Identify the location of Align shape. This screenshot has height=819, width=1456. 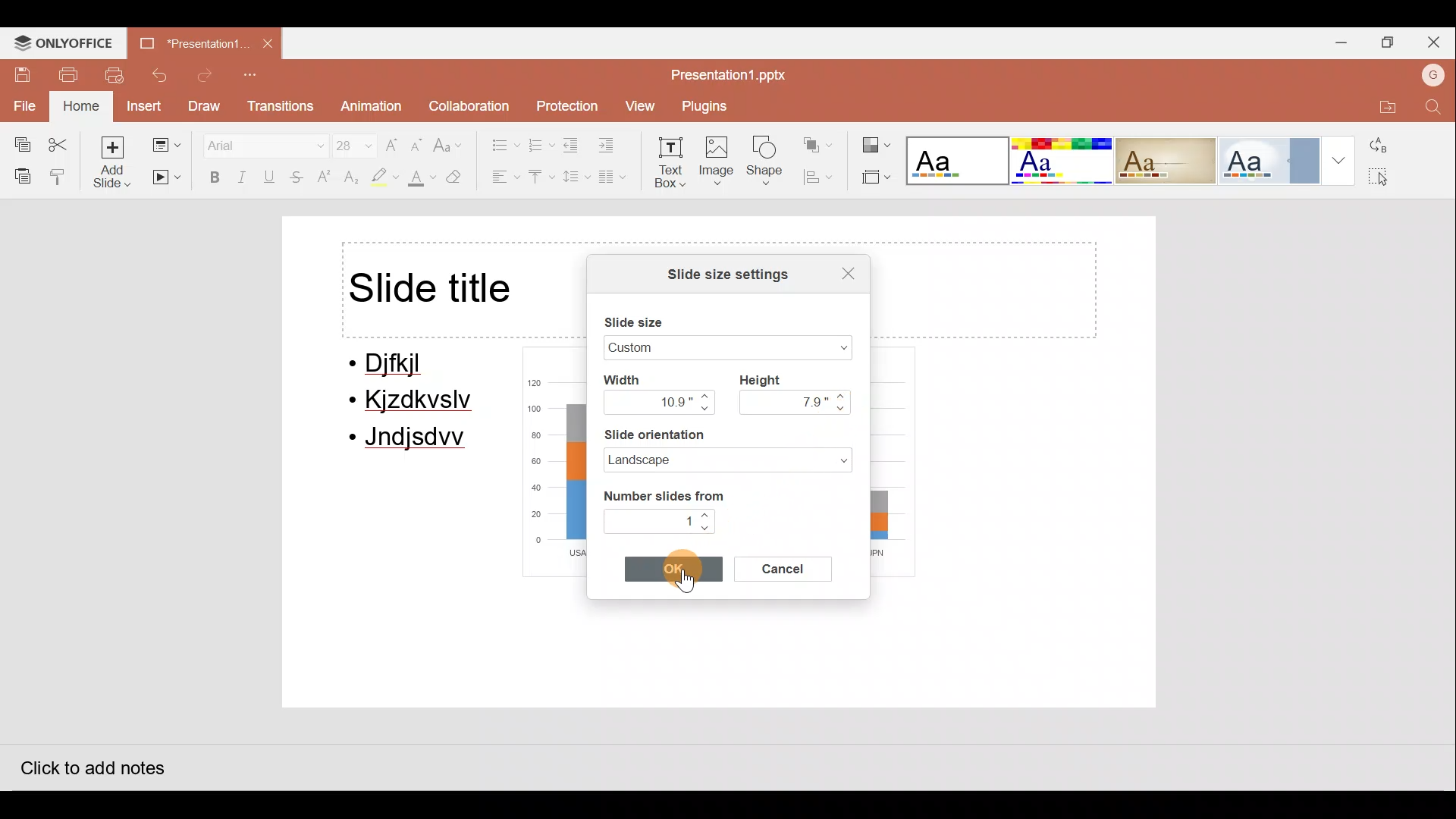
(822, 177).